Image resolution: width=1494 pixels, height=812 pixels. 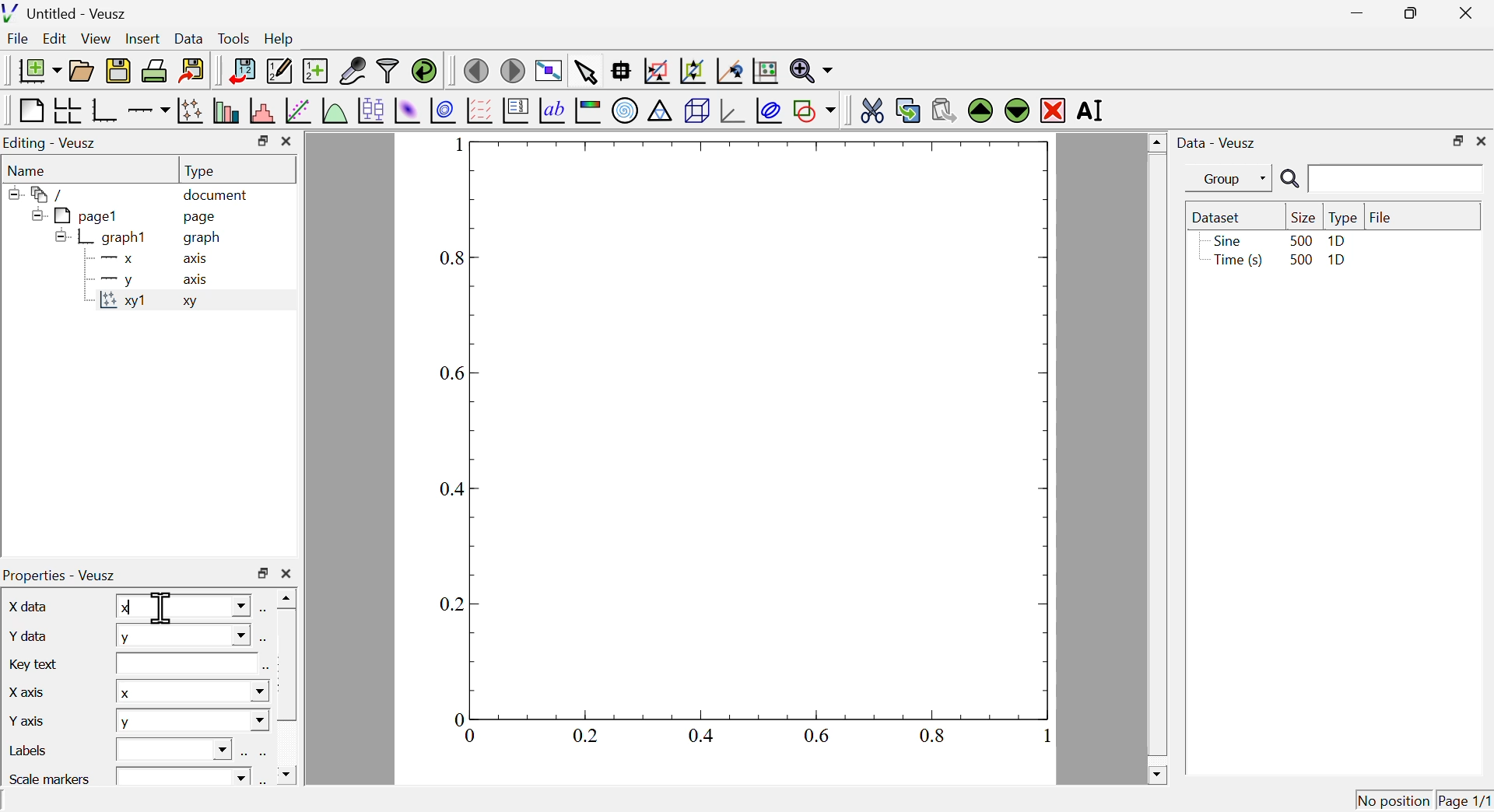 What do you see at coordinates (1378, 180) in the screenshot?
I see `search` at bounding box center [1378, 180].